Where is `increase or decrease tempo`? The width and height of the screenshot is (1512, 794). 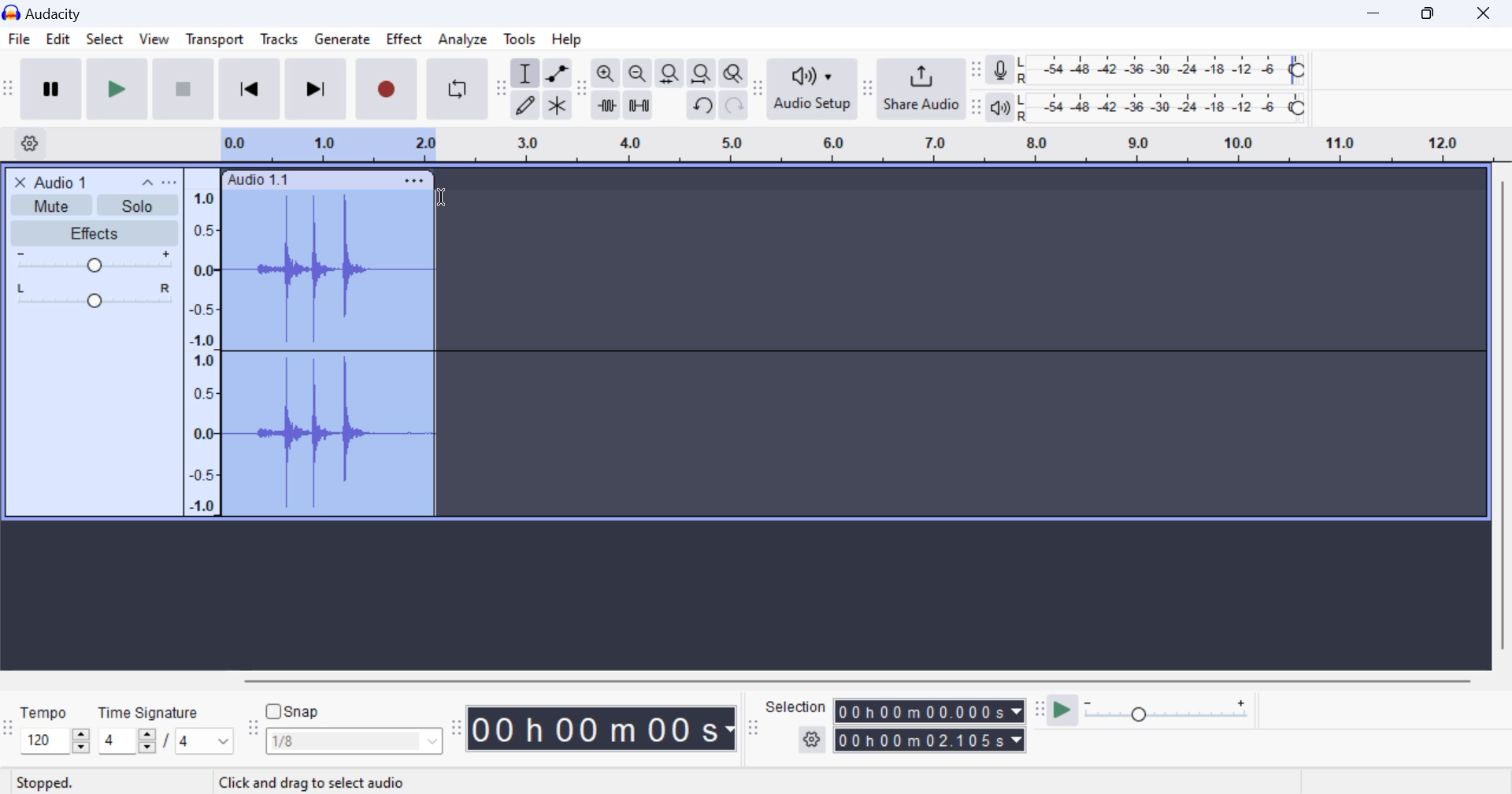 increase or decrease tempo is located at coordinates (54, 740).